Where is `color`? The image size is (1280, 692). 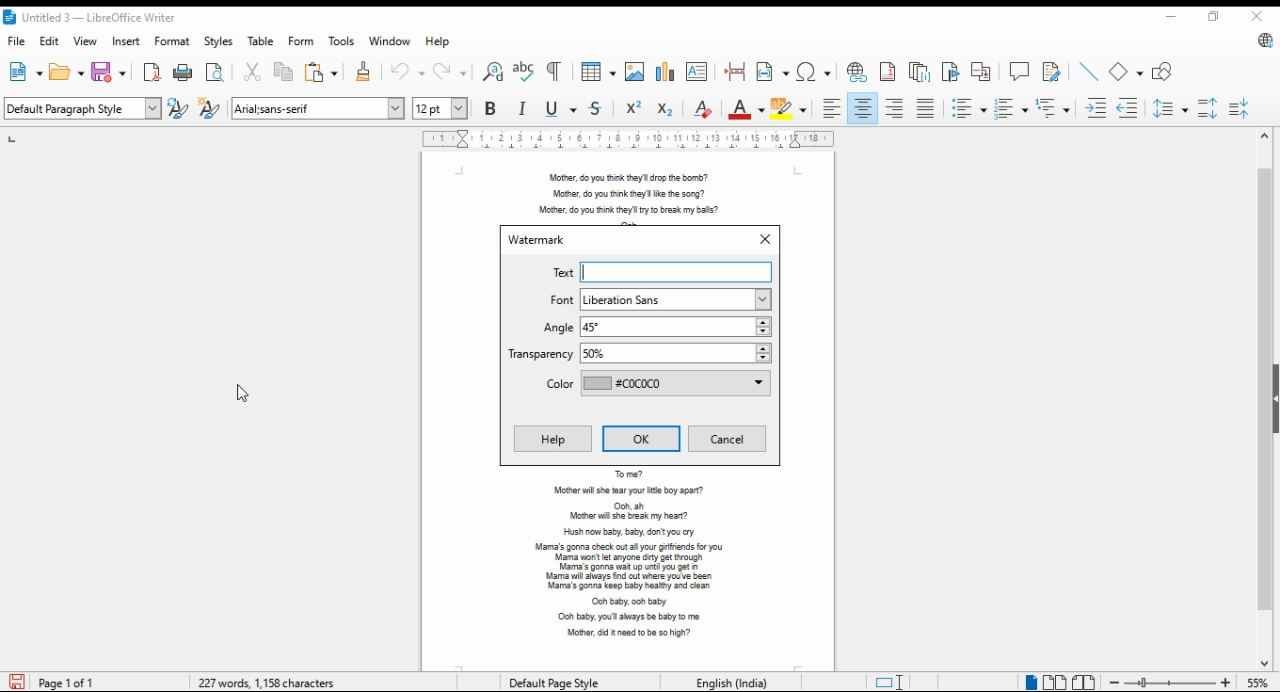
color is located at coordinates (655, 385).